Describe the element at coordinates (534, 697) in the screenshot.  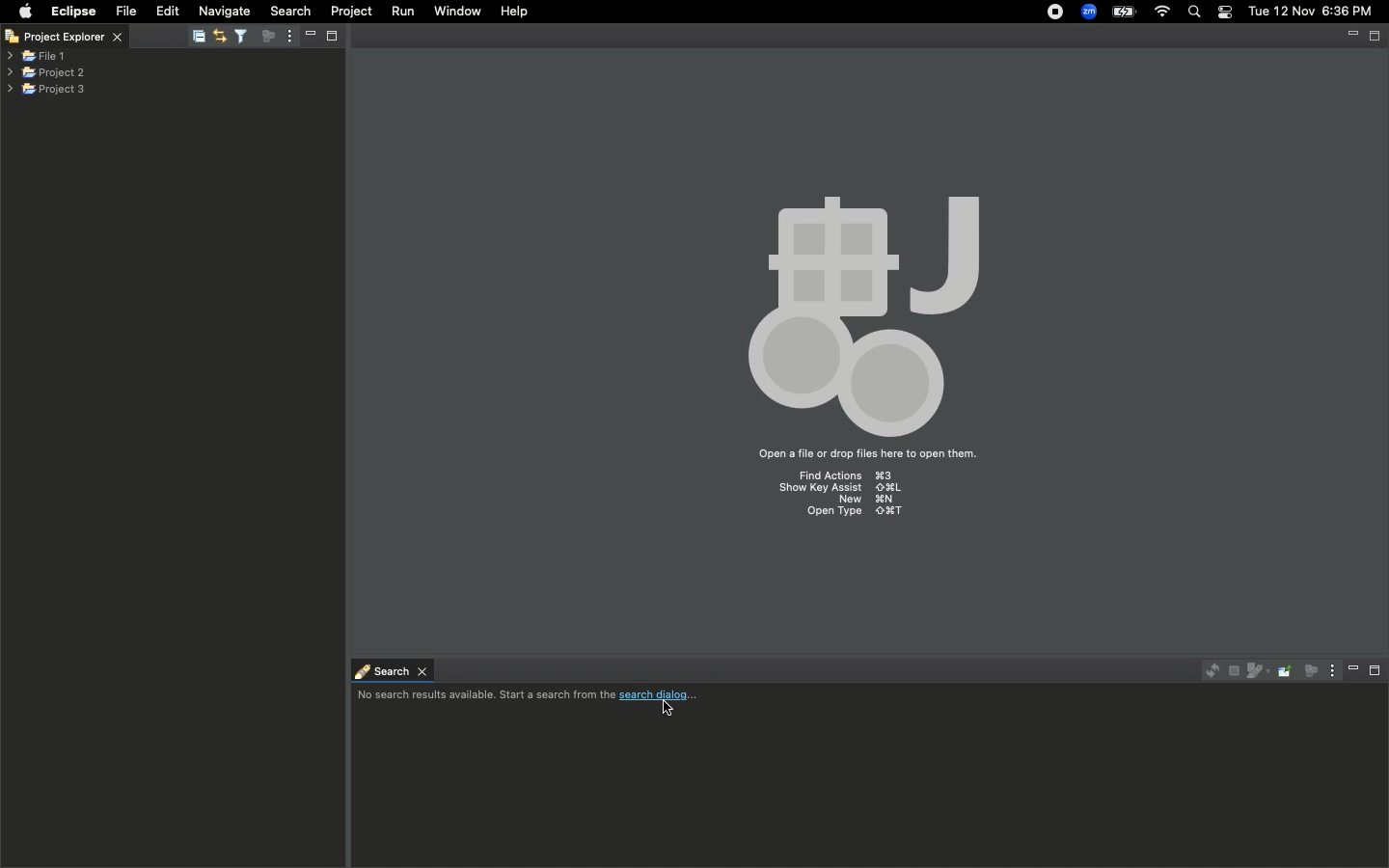
I see `Search dialog` at that location.